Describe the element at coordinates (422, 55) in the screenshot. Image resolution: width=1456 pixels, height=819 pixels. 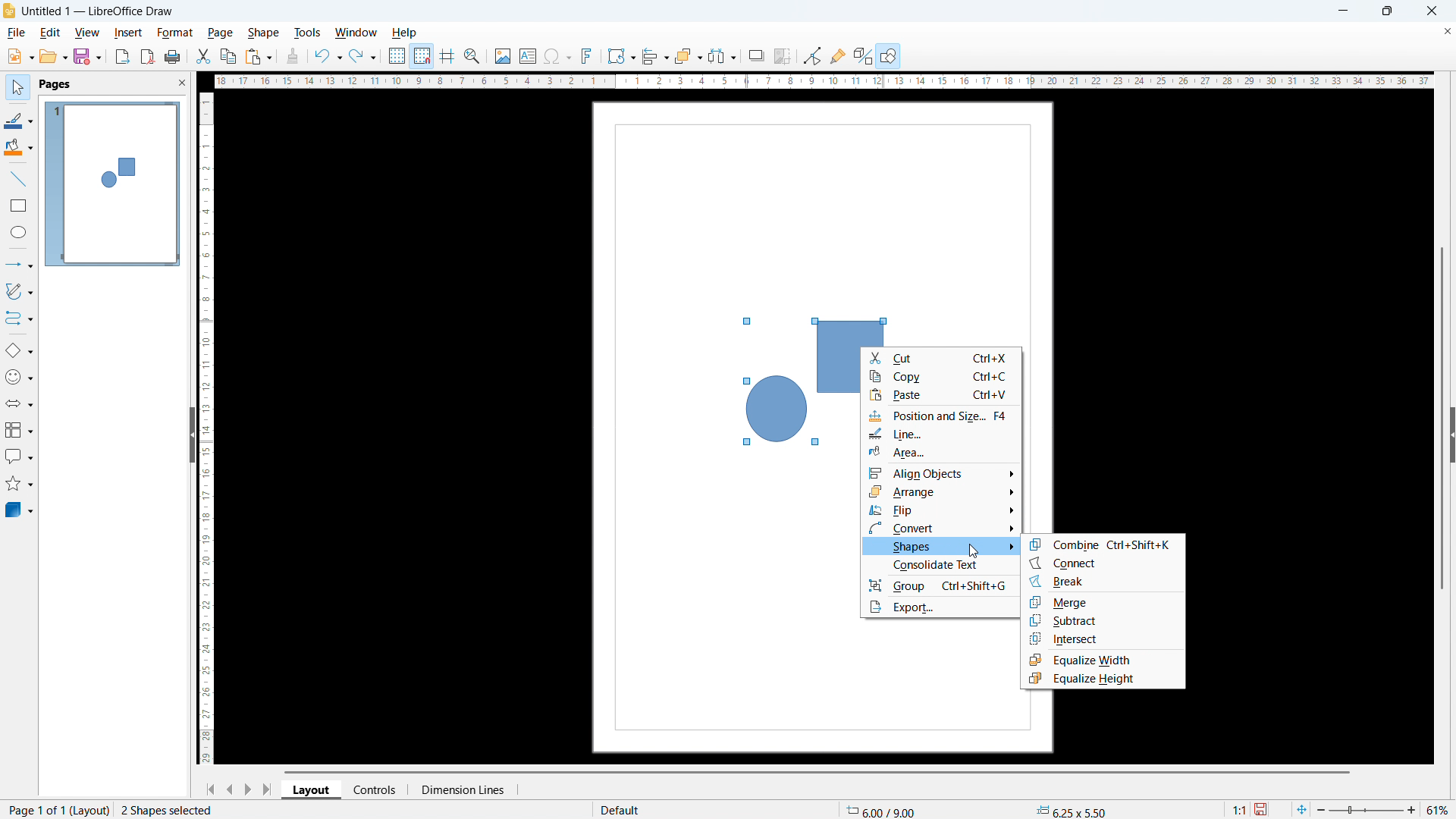
I see `snap to grid` at that location.